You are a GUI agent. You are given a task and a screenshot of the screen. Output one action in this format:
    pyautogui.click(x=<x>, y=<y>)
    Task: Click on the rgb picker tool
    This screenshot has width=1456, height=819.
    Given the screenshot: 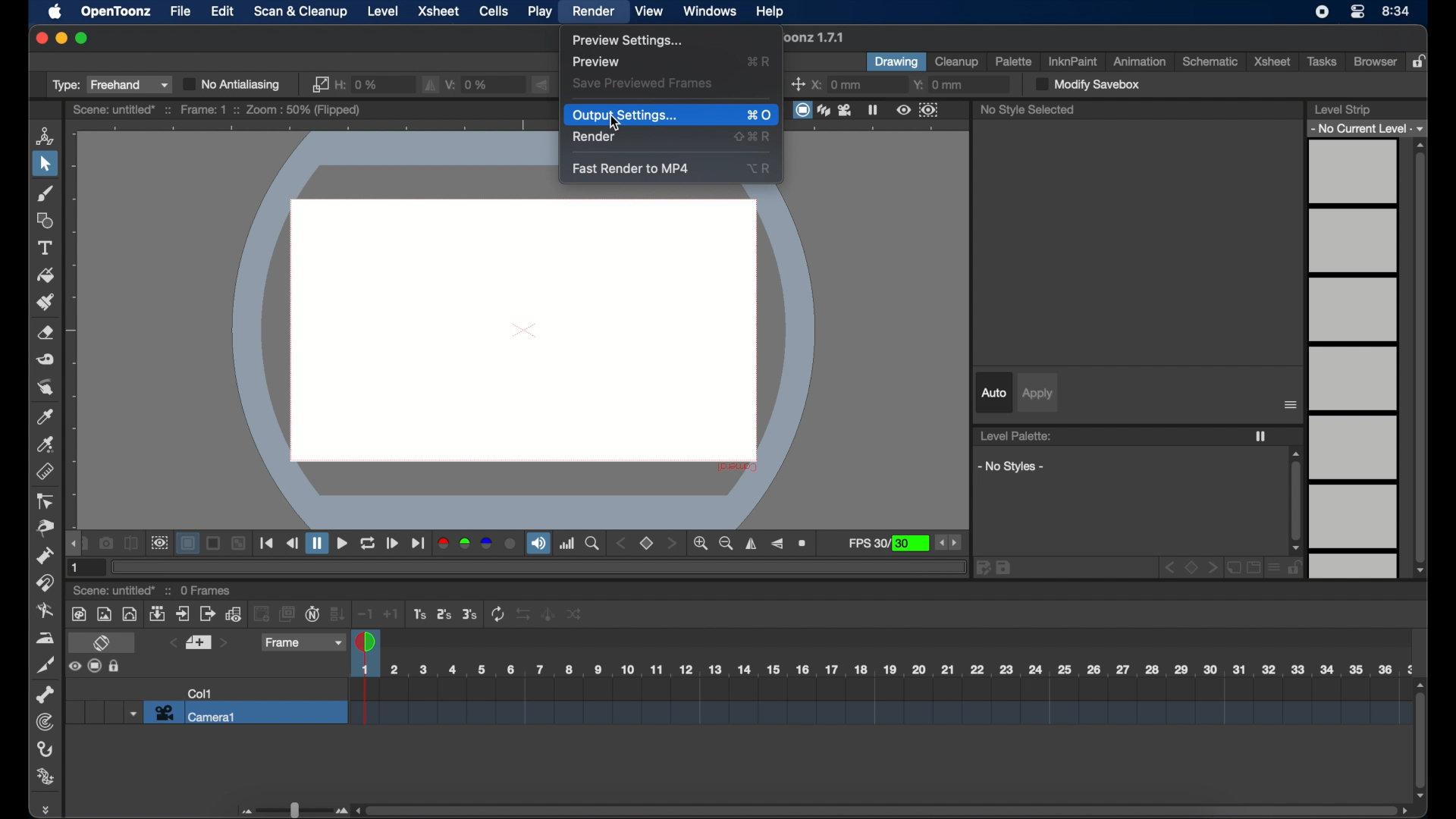 What is the action you would take?
    pyautogui.click(x=46, y=444)
    